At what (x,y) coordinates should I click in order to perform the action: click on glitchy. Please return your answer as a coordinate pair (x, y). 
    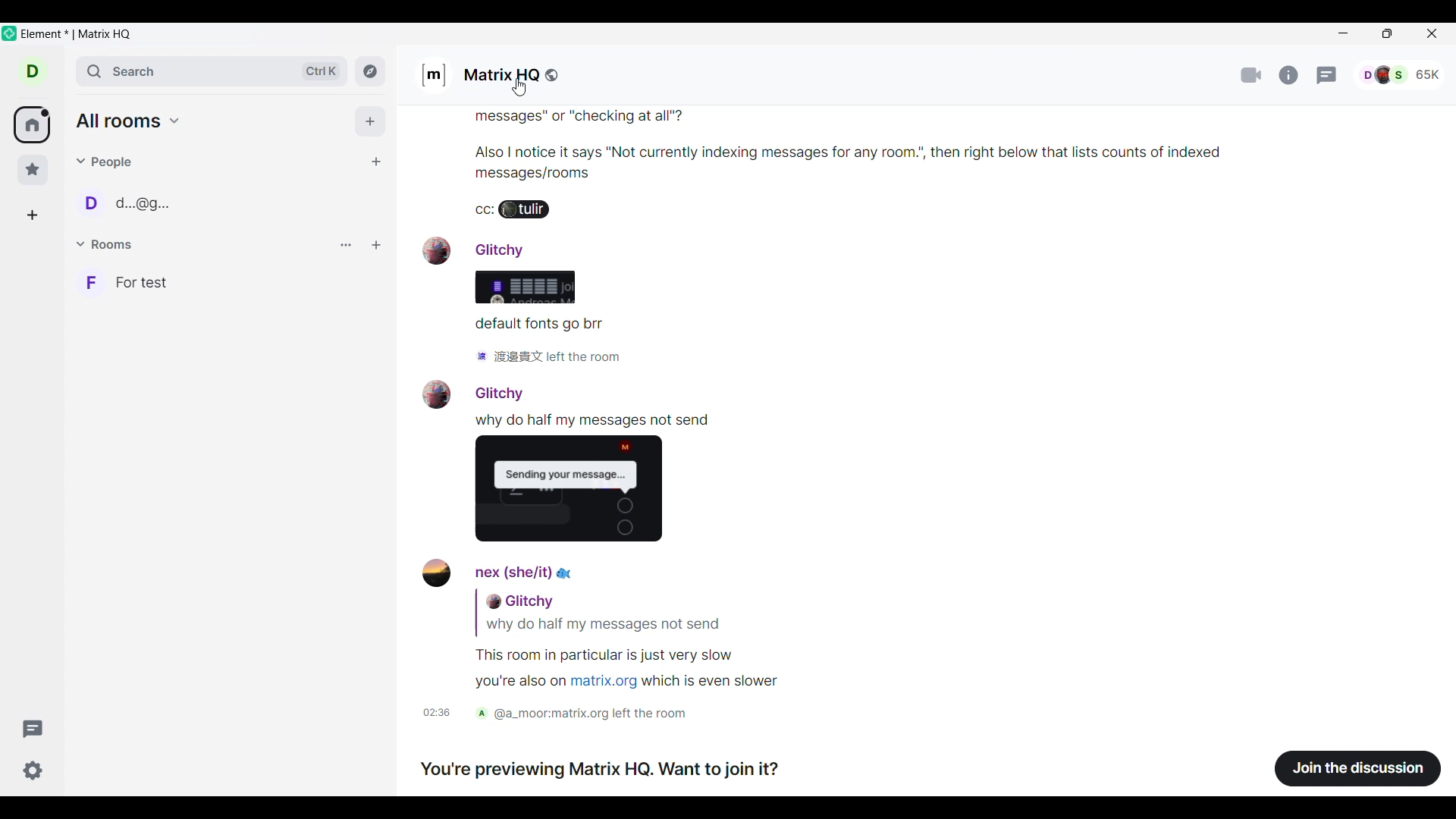
    Looking at the image, I should click on (485, 249).